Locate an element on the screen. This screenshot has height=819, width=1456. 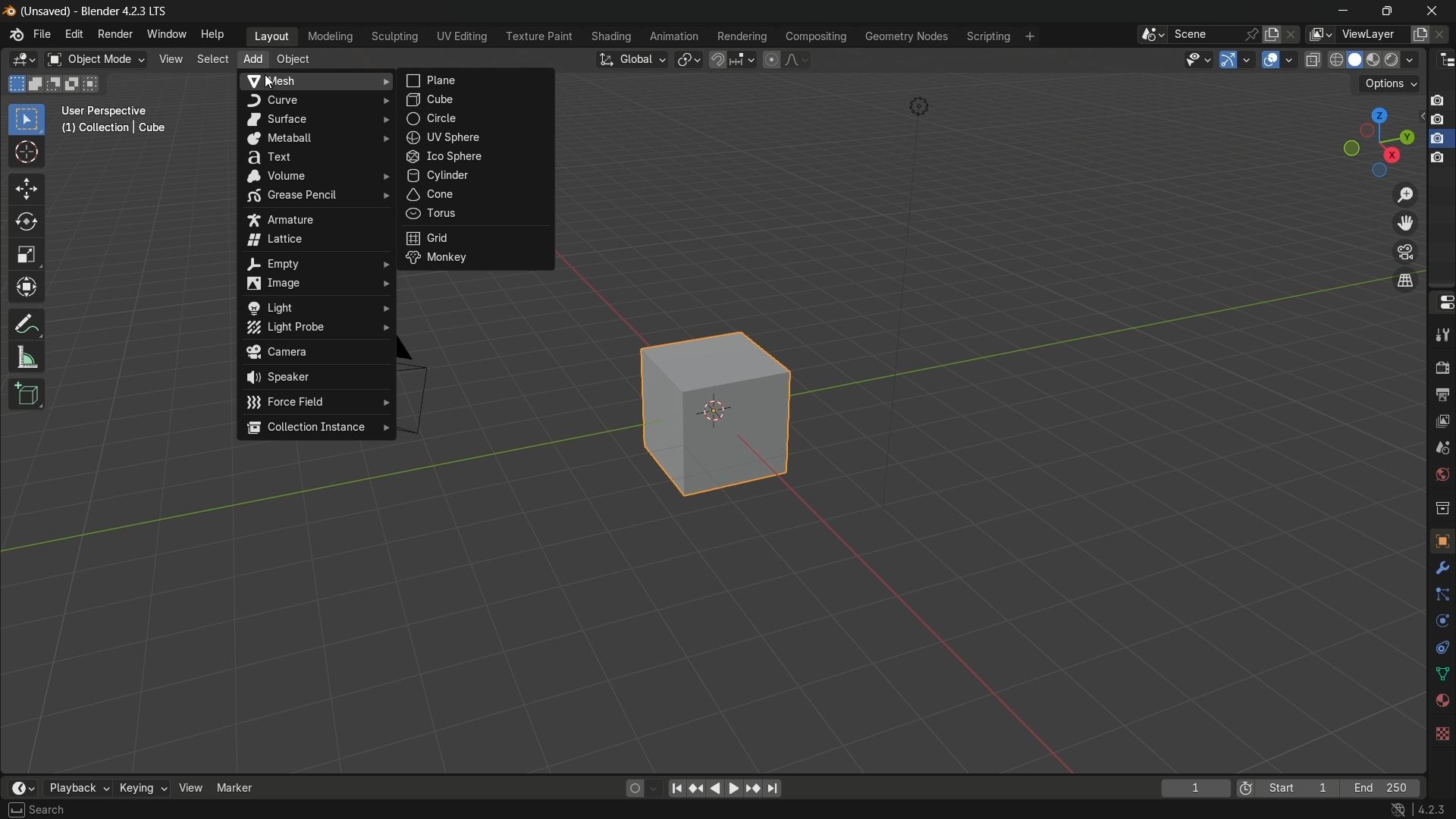
compositing is located at coordinates (816, 36).